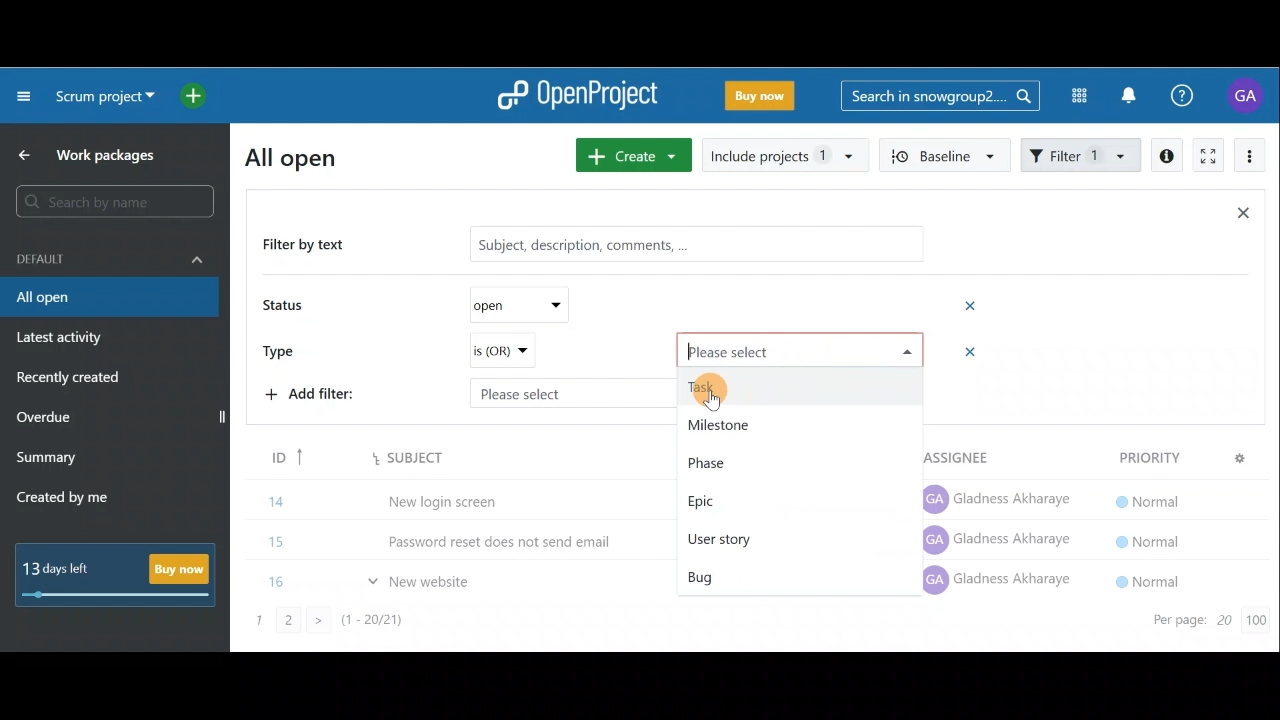  What do you see at coordinates (802, 386) in the screenshot?
I see `Task` at bounding box center [802, 386].